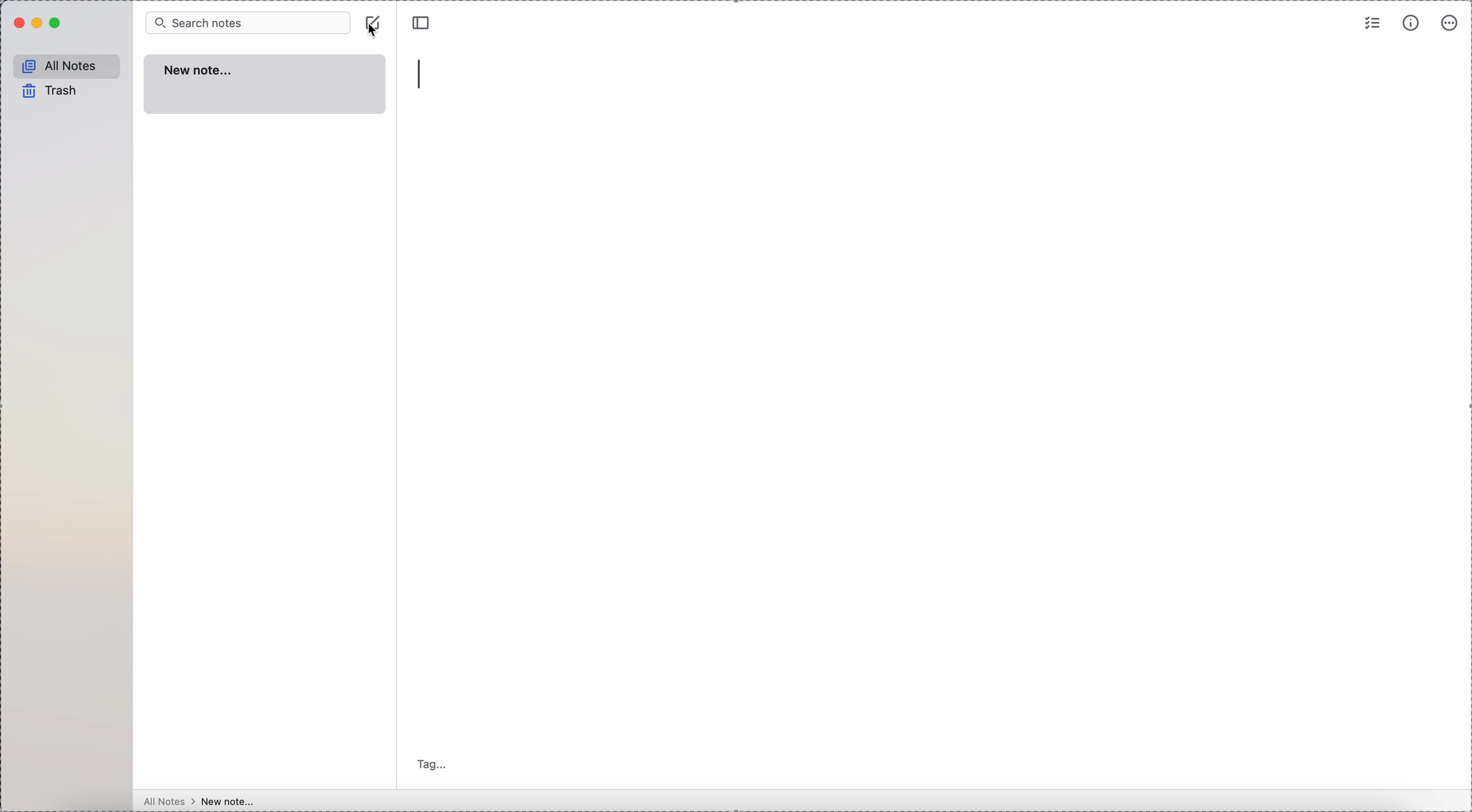  Describe the element at coordinates (267, 83) in the screenshot. I see `new note` at that location.